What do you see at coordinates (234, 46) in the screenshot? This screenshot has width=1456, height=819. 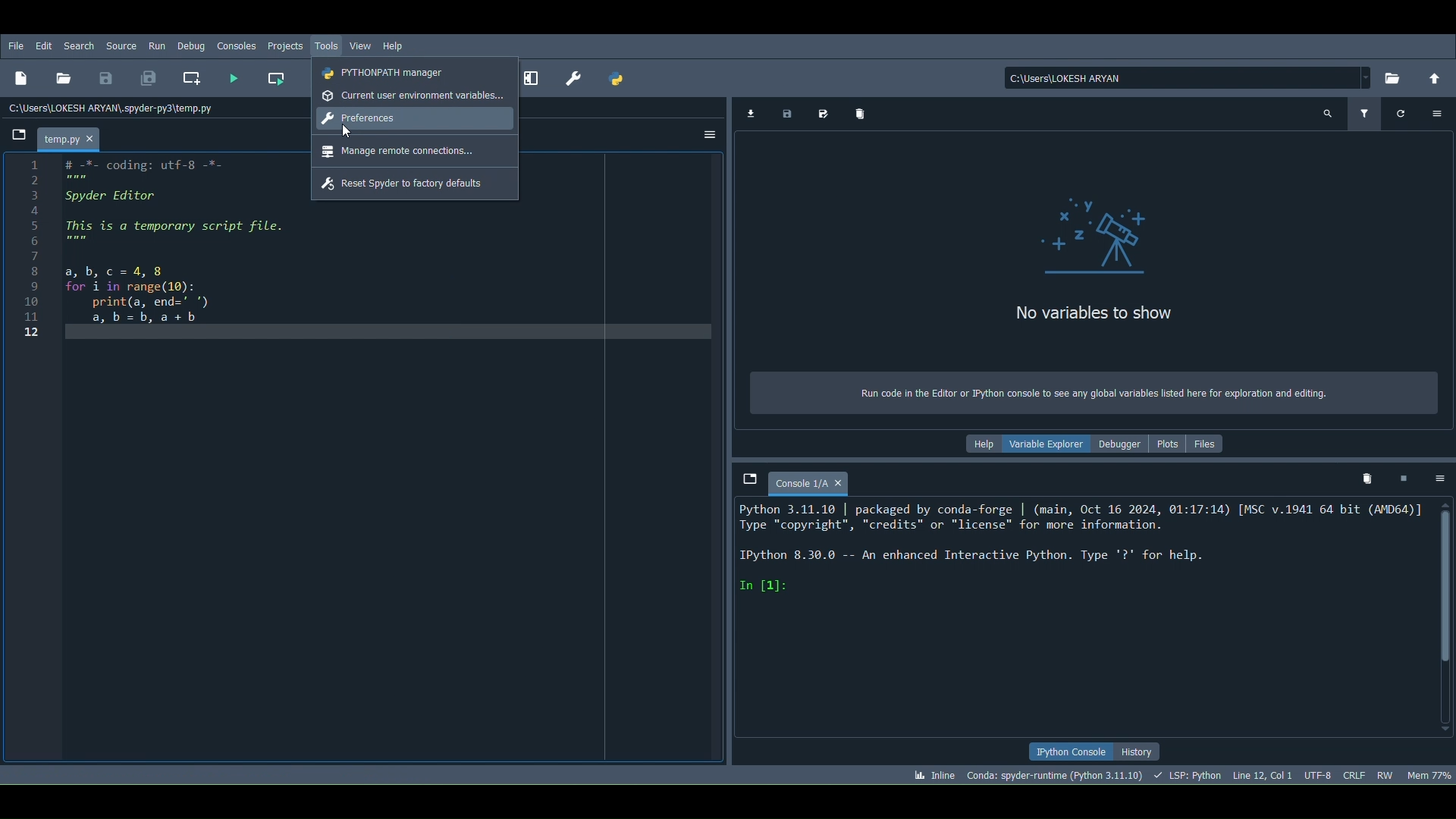 I see `Consoles` at bounding box center [234, 46].